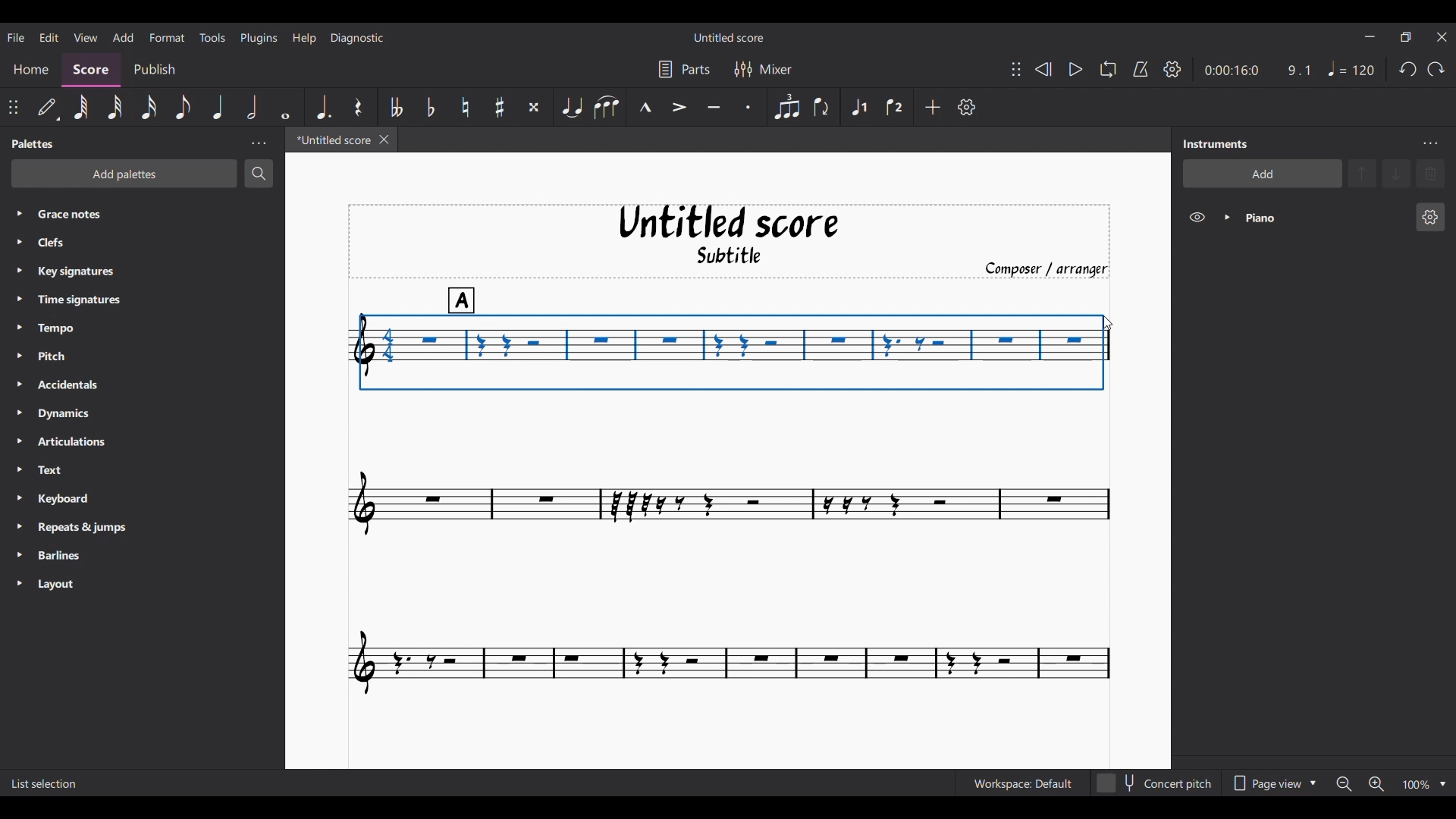 This screenshot has height=819, width=1456. Describe the element at coordinates (1363, 173) in the screenshot. I see `Move instrument up` at that location.